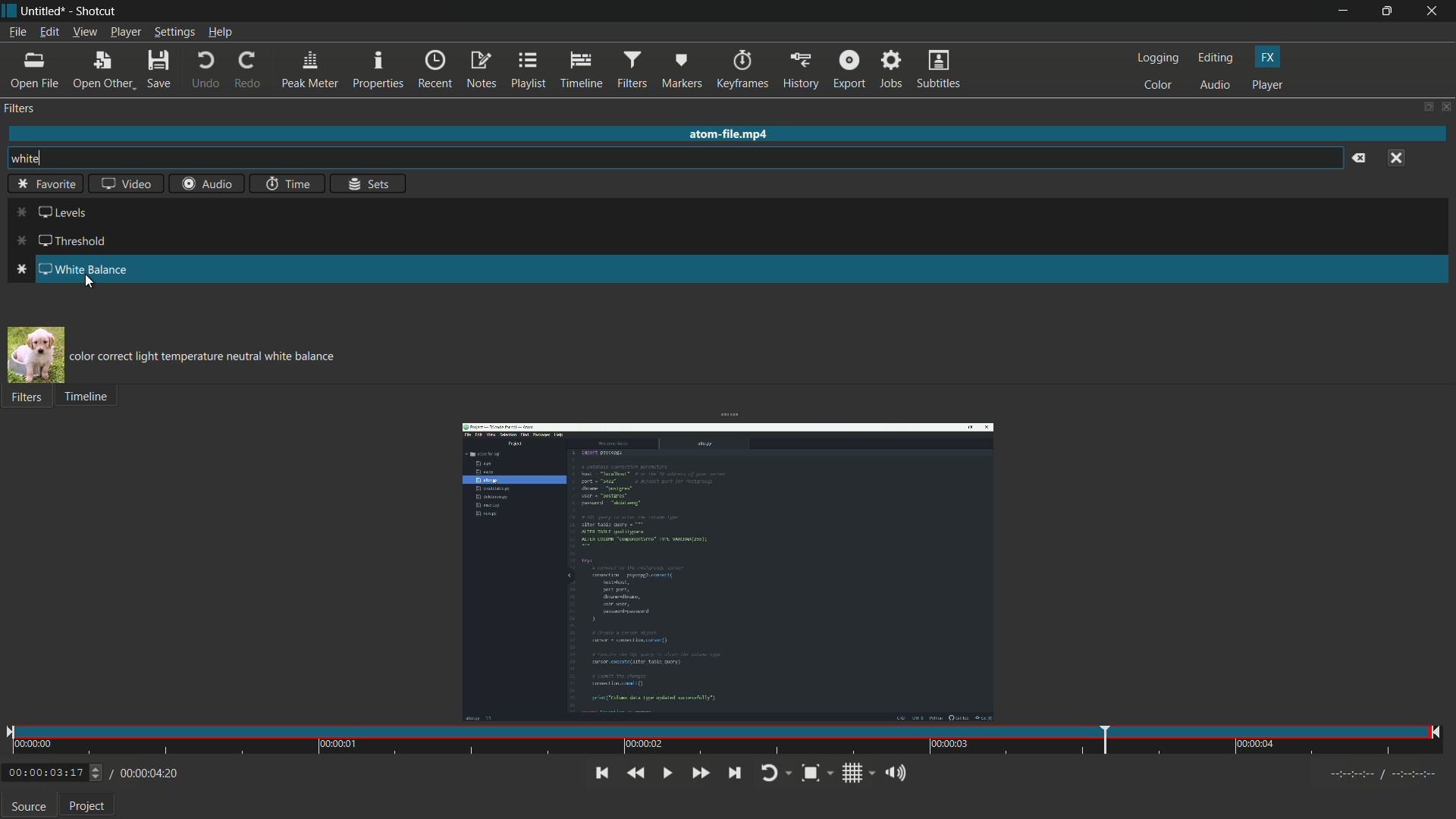 Image resolution: width=1456 pixels, height=819 pixels. What do you see at coordinates (635, 773) in the screenshot?
I see `quickly play backward` at bounding box center [635, 773].